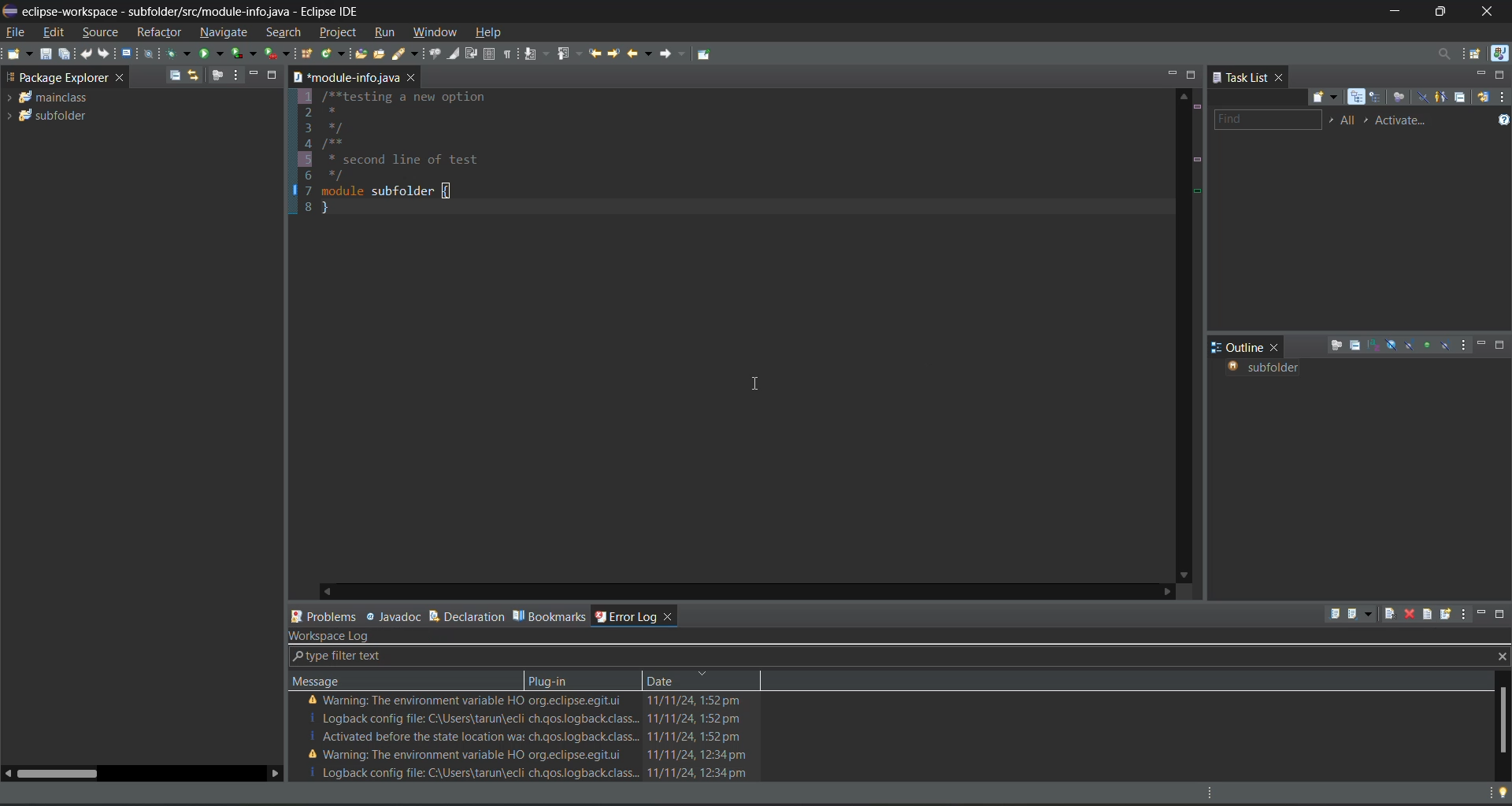 Image resolution: width=1512 pixels, height=806 pixels. I want to click on coverage, so click(246, 53).